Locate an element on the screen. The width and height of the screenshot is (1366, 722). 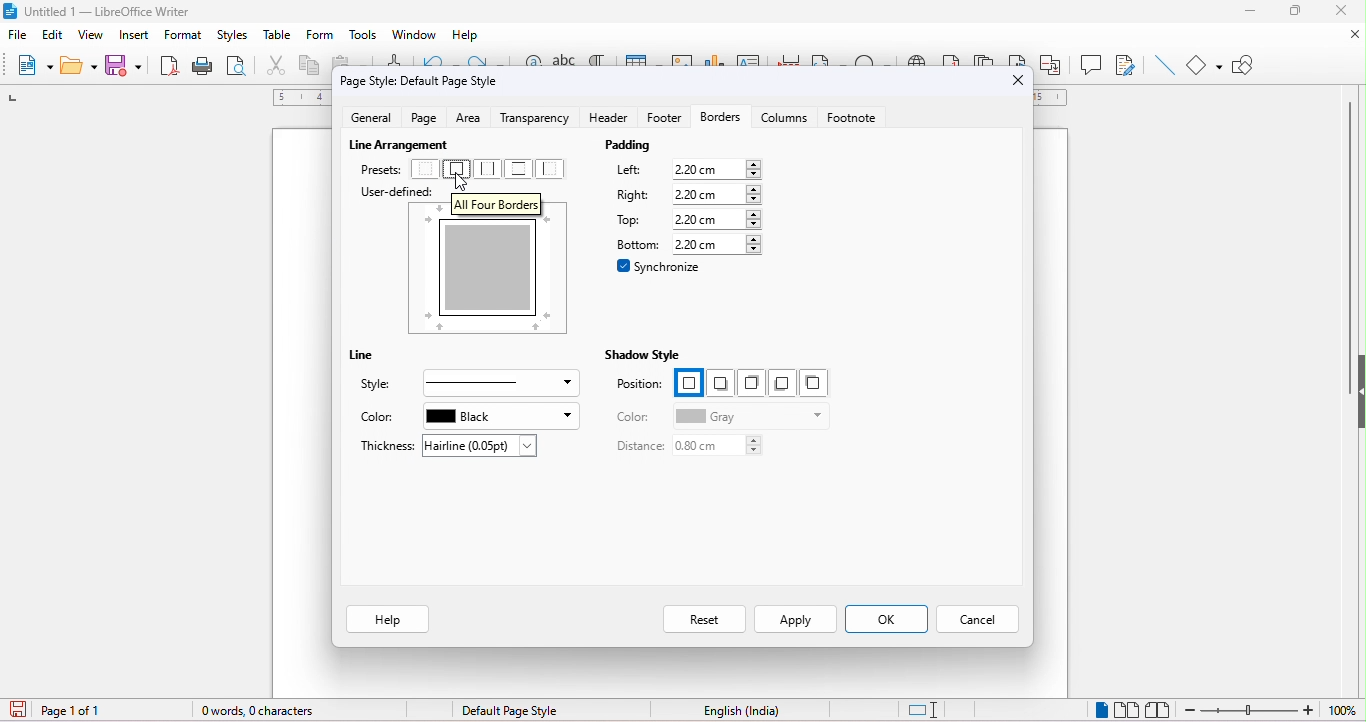
table is located at coordinates (278, 37).